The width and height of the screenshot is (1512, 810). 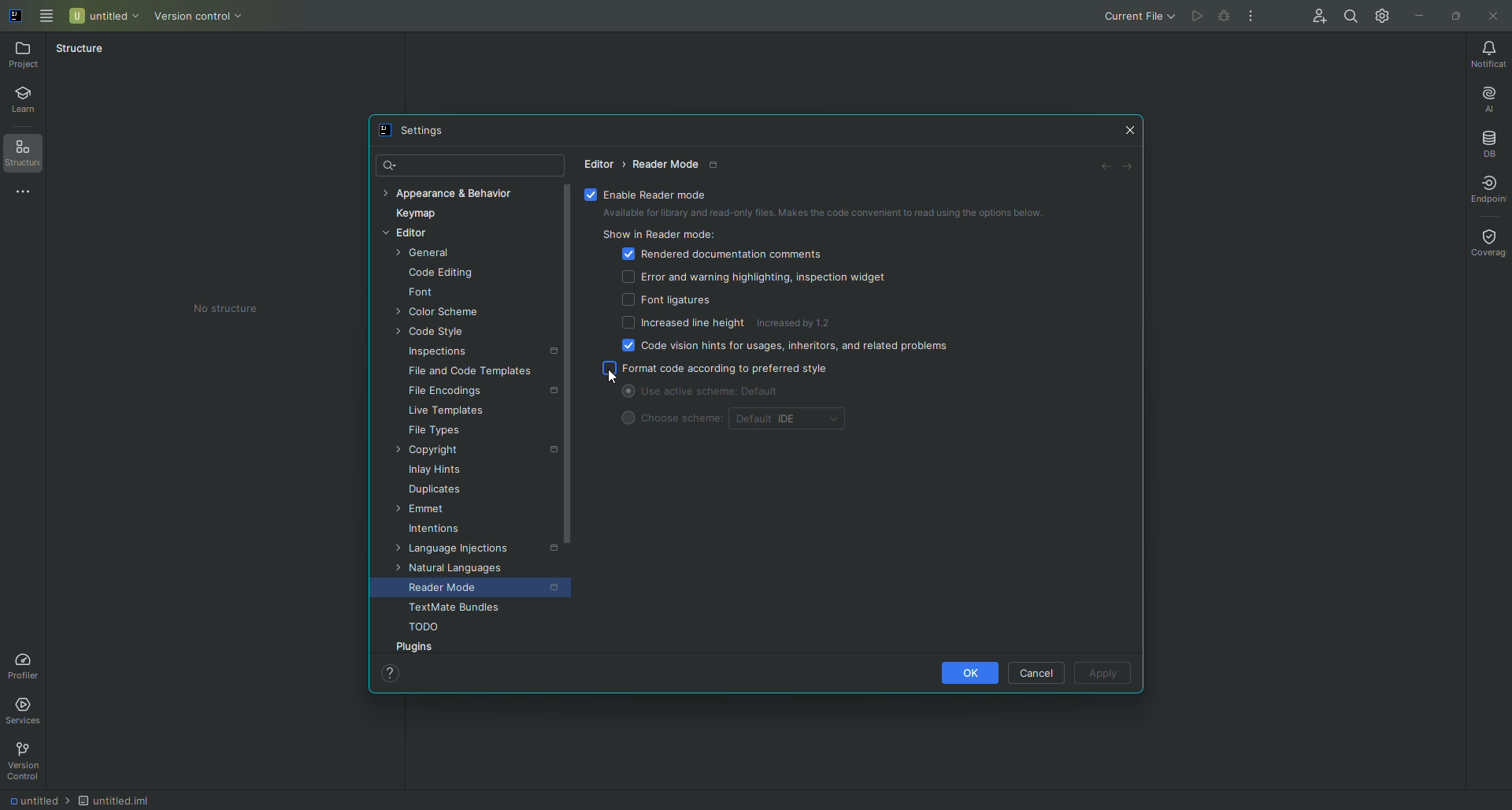 What do you see at coordinates (572, 417) in the screenshot?
I see `scroll bar` at bounding box center [572, 417].